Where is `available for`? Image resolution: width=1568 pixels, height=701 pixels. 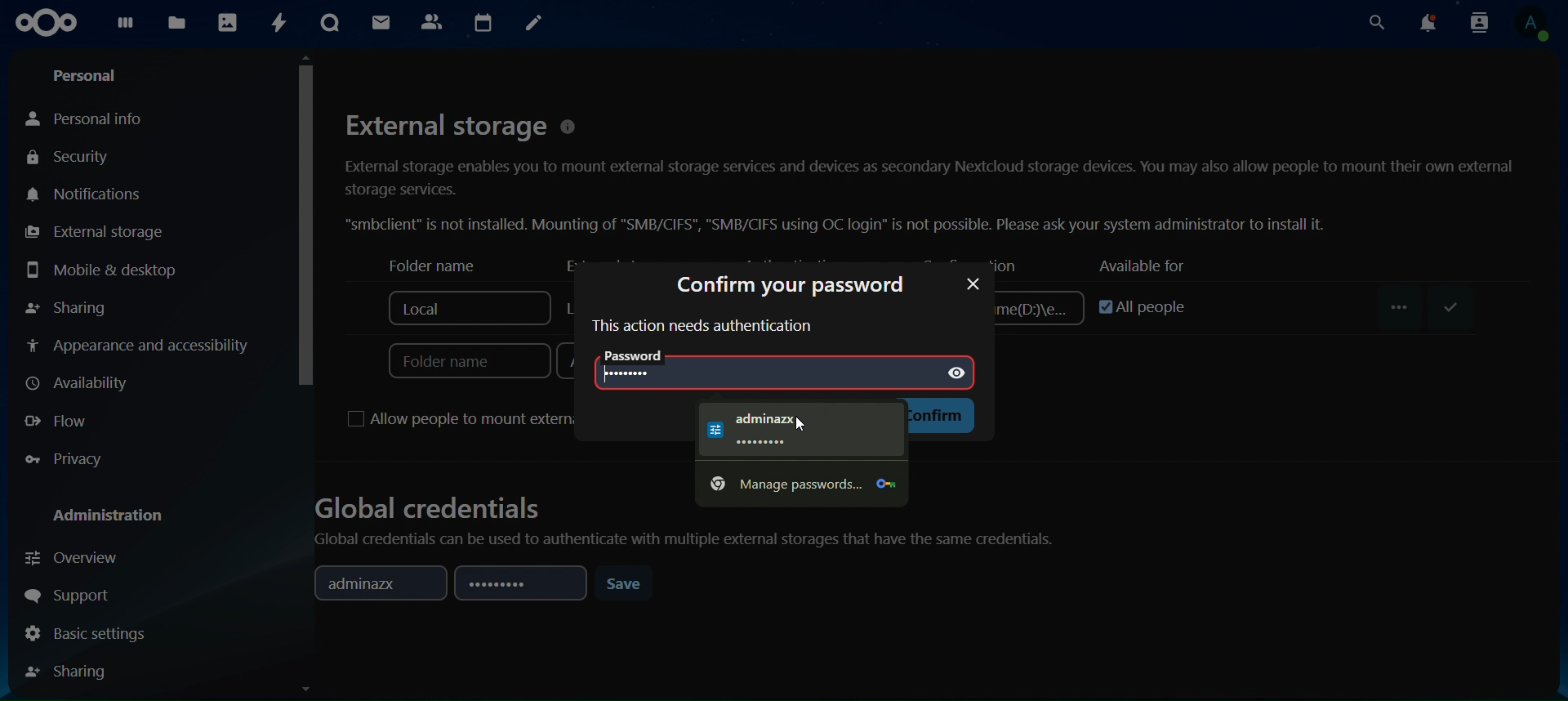 available for is located at coordinates (1138, 266).